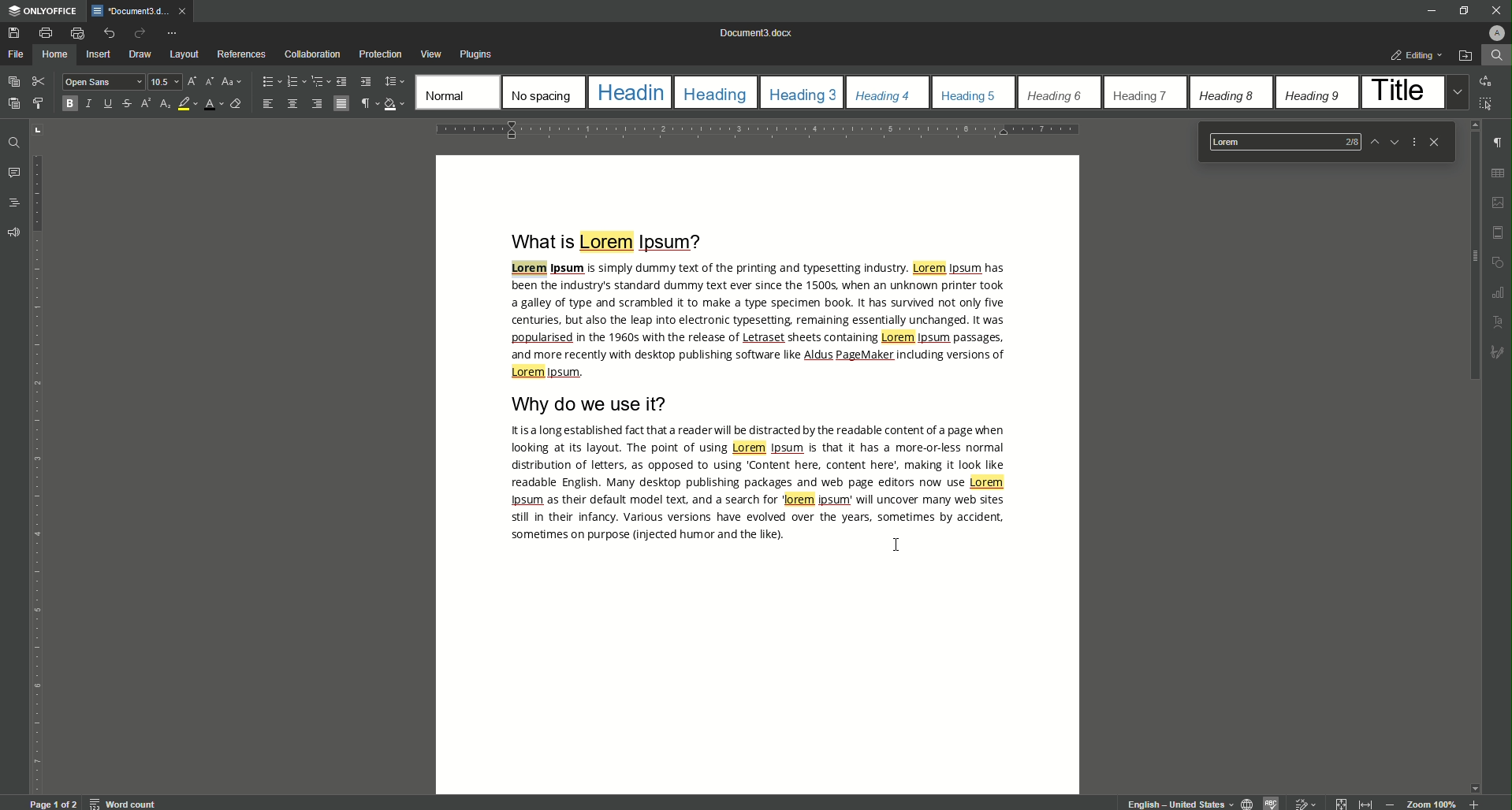 This screenshot has height=810, width=1512. What do you see at coordinates (762, 483) in the screenshot?
I see `Text` at bounding box center [762, 483].